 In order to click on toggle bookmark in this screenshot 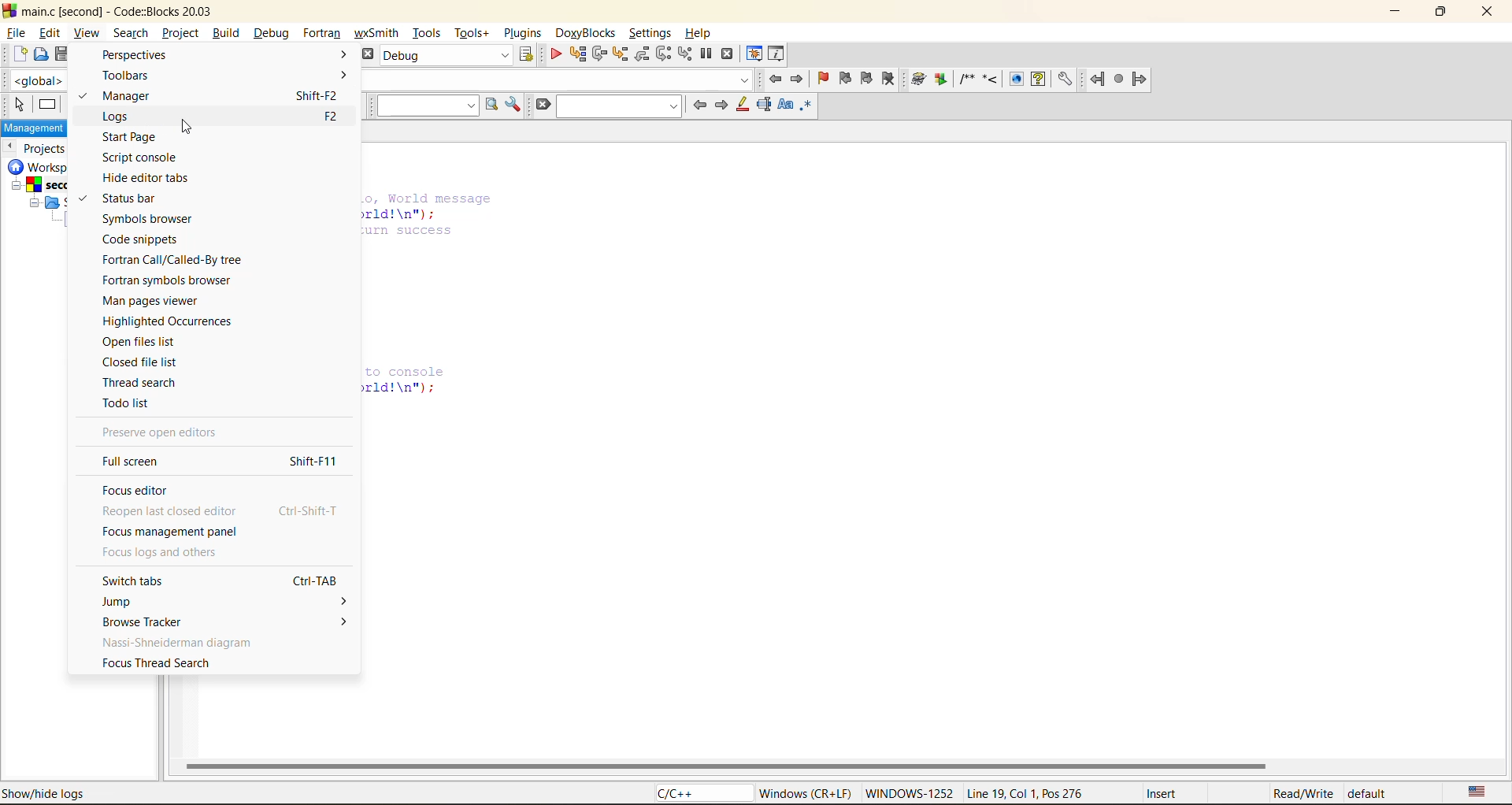, I will do `click(823, 80)`.